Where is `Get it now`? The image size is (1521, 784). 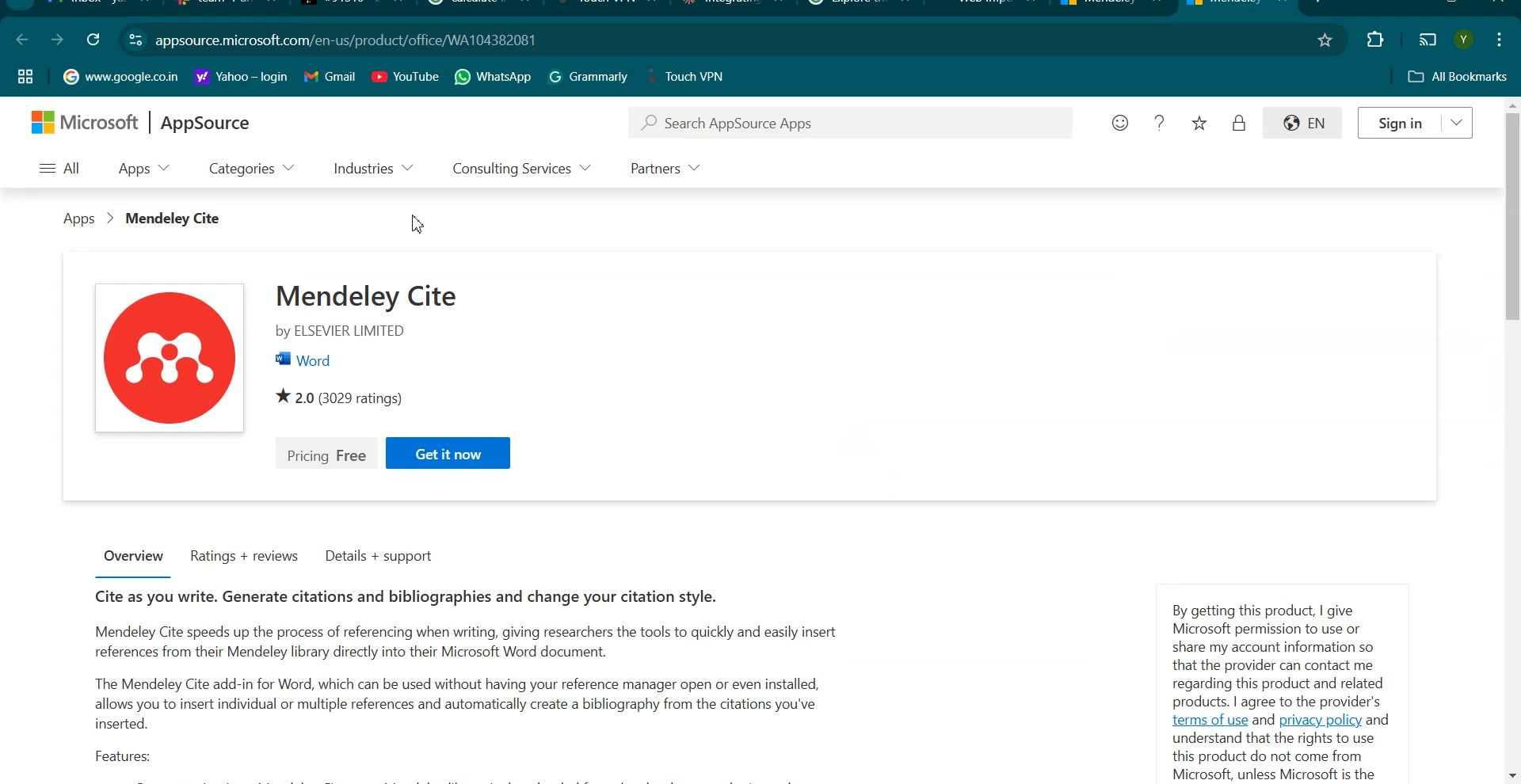
Get it now is located at coordinates (448, 452).